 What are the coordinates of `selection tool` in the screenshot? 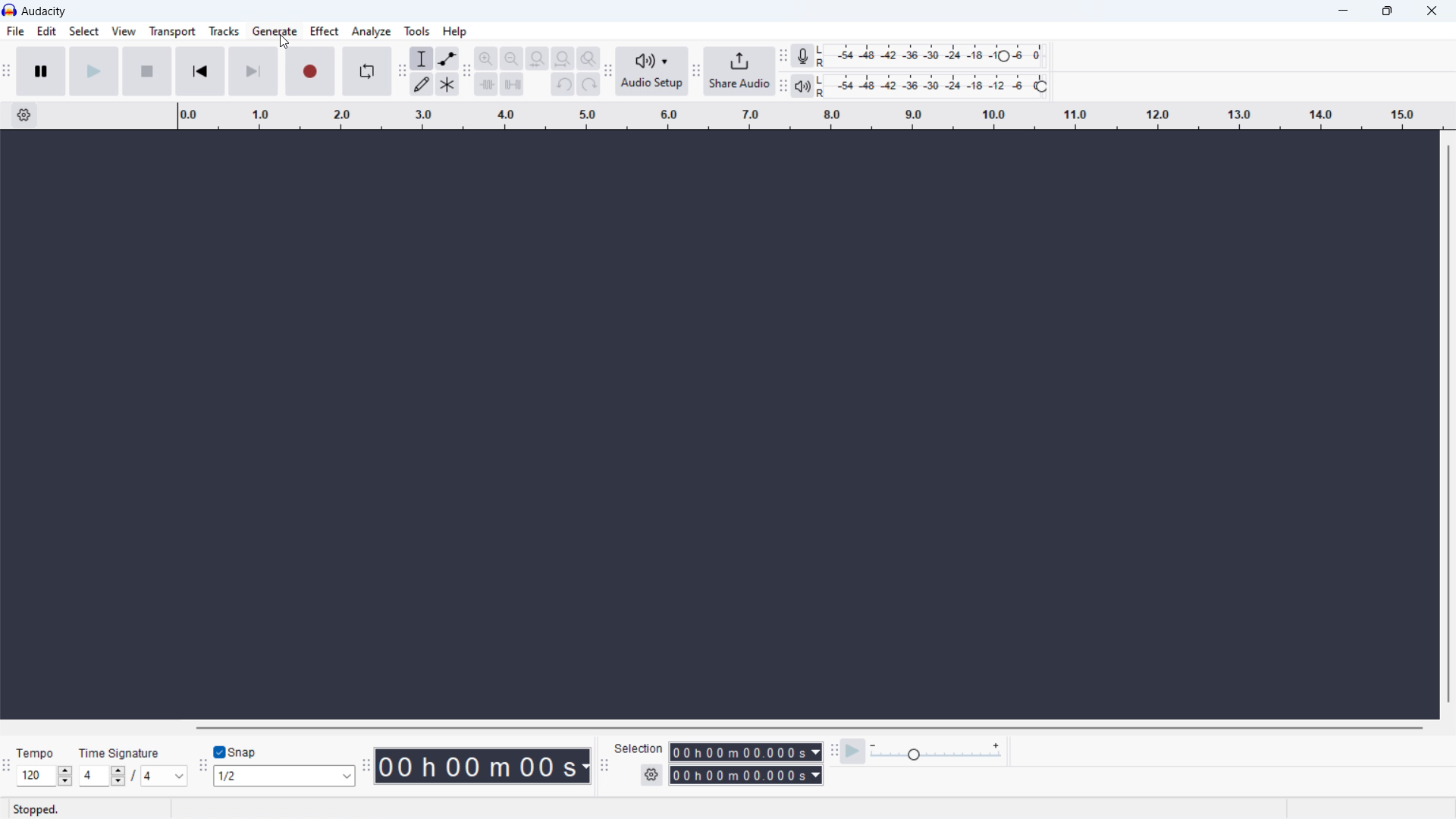 It's located at (422, 58).